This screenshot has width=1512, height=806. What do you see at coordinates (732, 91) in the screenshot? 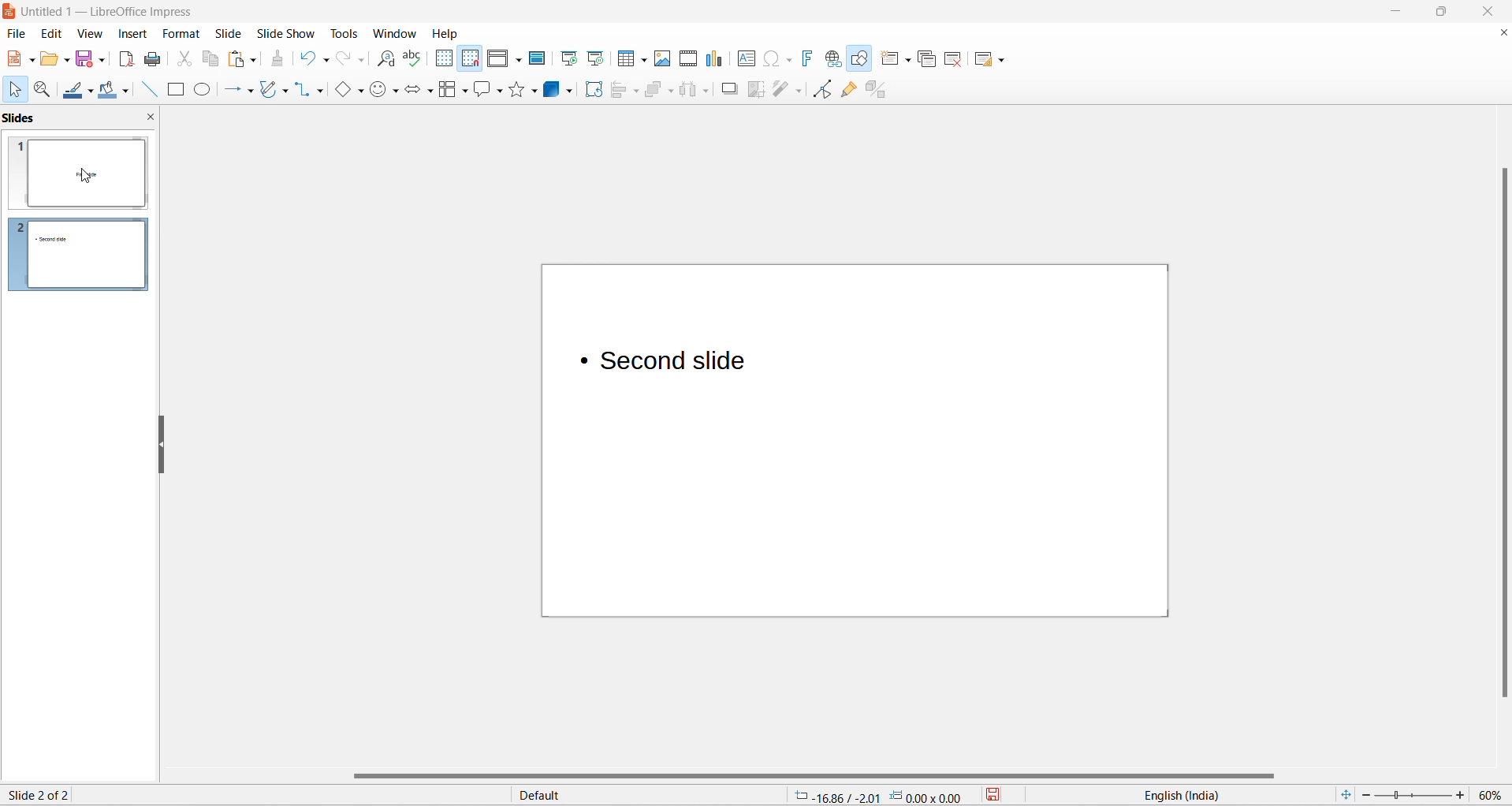
I see `shadow` at bounding box center [732, 91].